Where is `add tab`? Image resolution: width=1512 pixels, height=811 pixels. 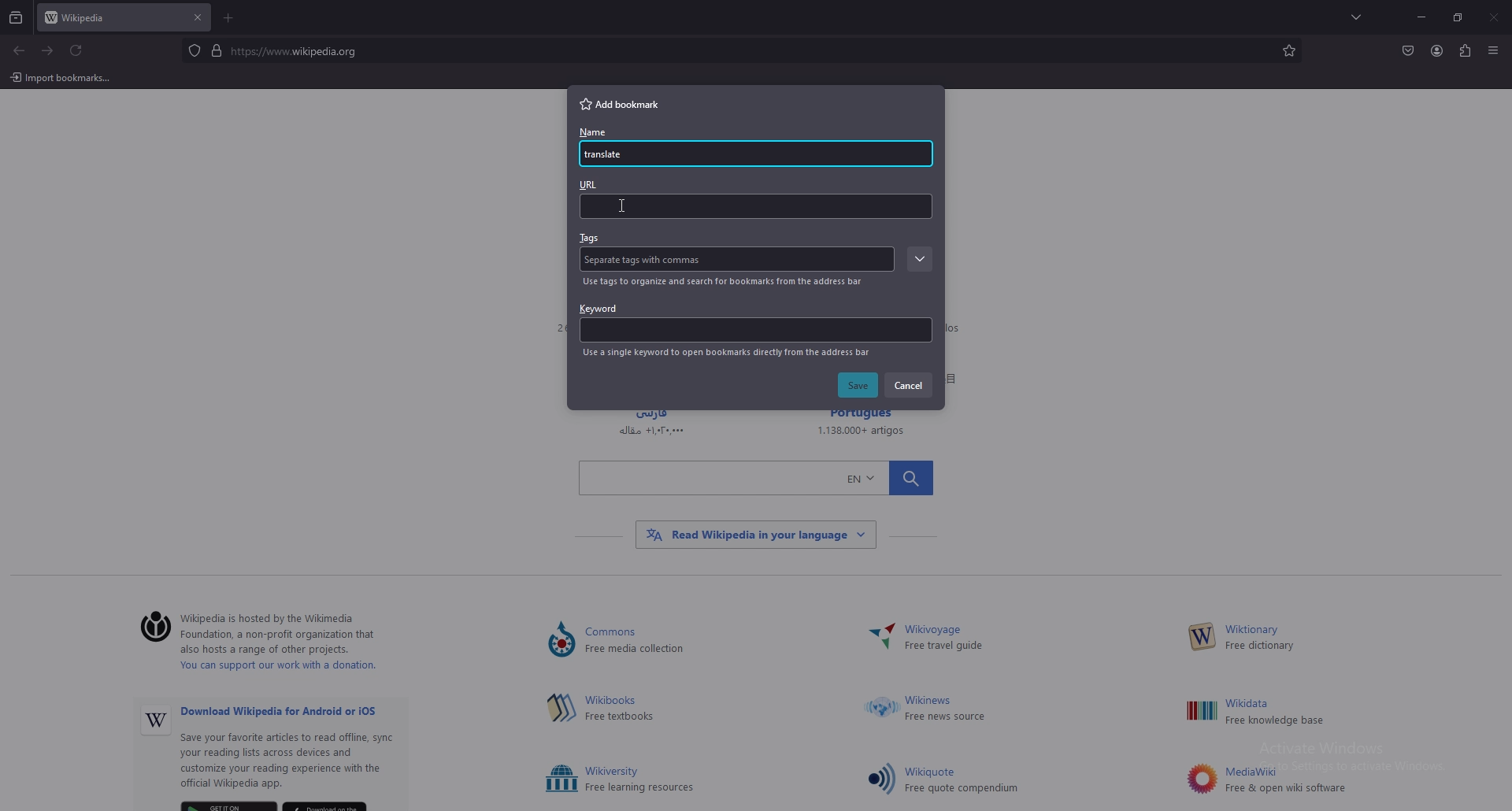
add tab is located at coordinates (230, 18).